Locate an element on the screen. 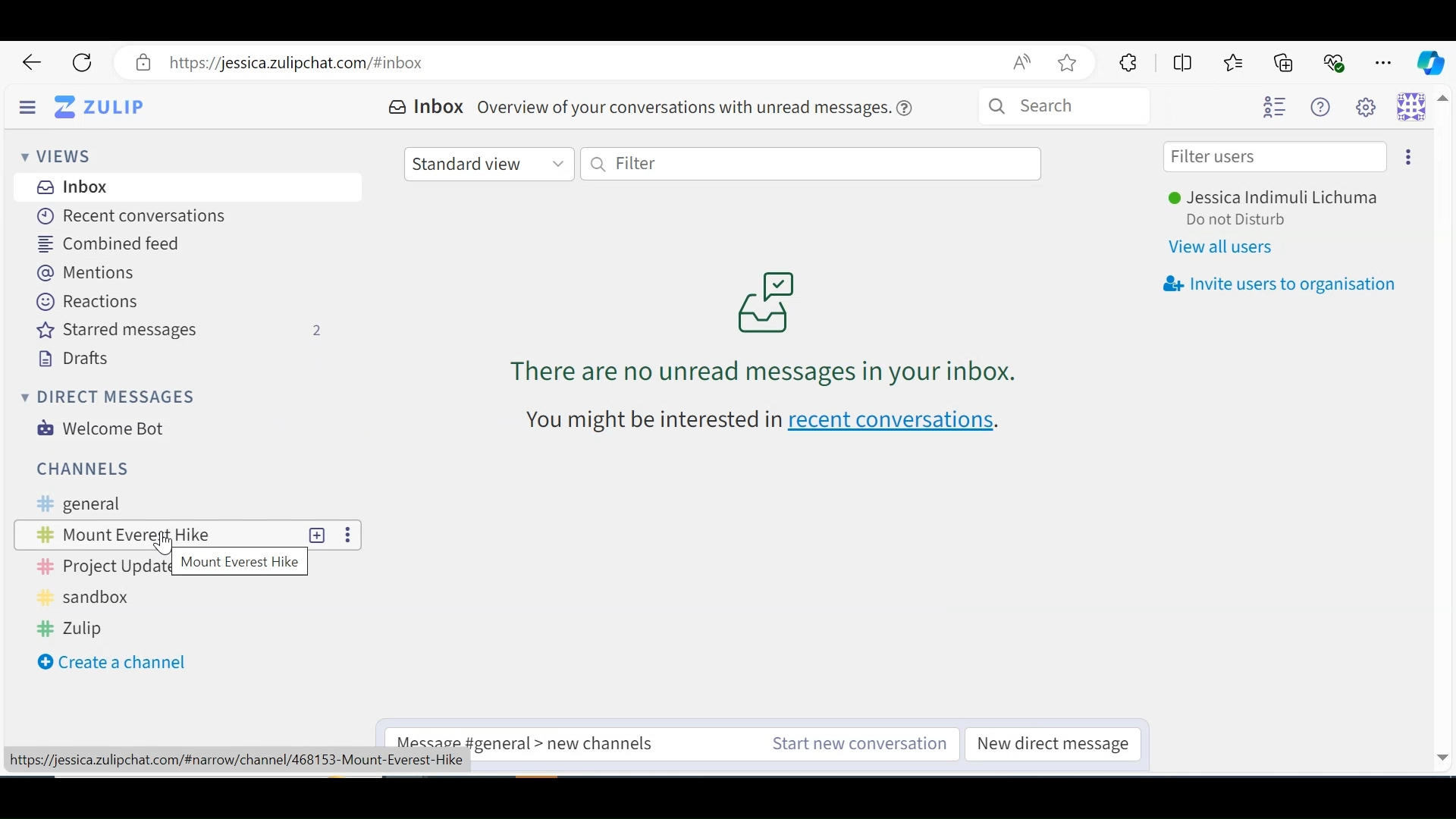  Cursor is located at coordinates (158, 549).